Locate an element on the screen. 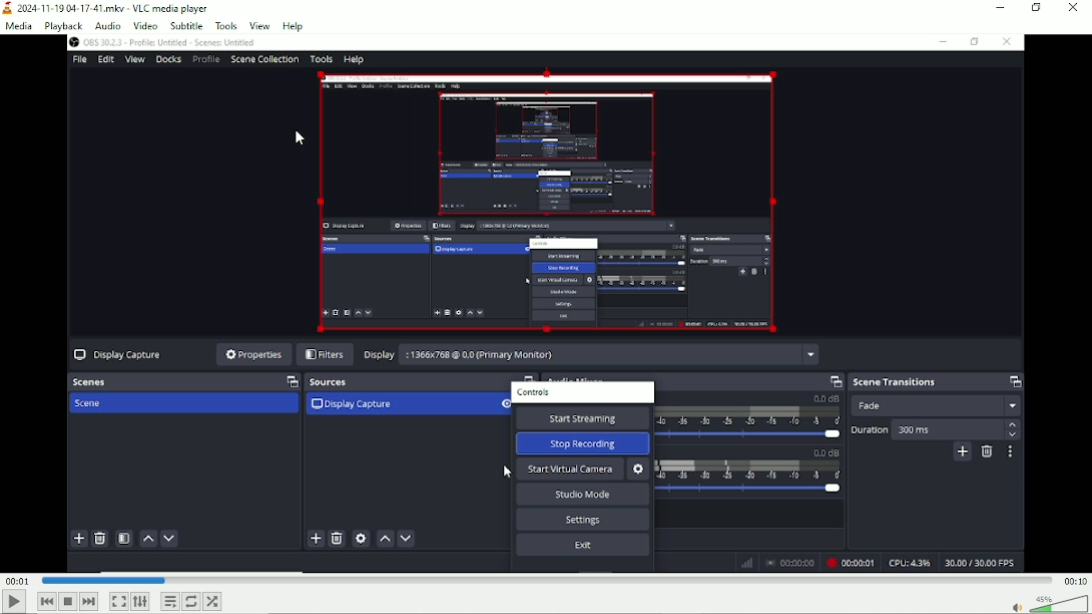 The height and width of the screenshot is (614, 1092). Tools is located at coordinates (226, 26).